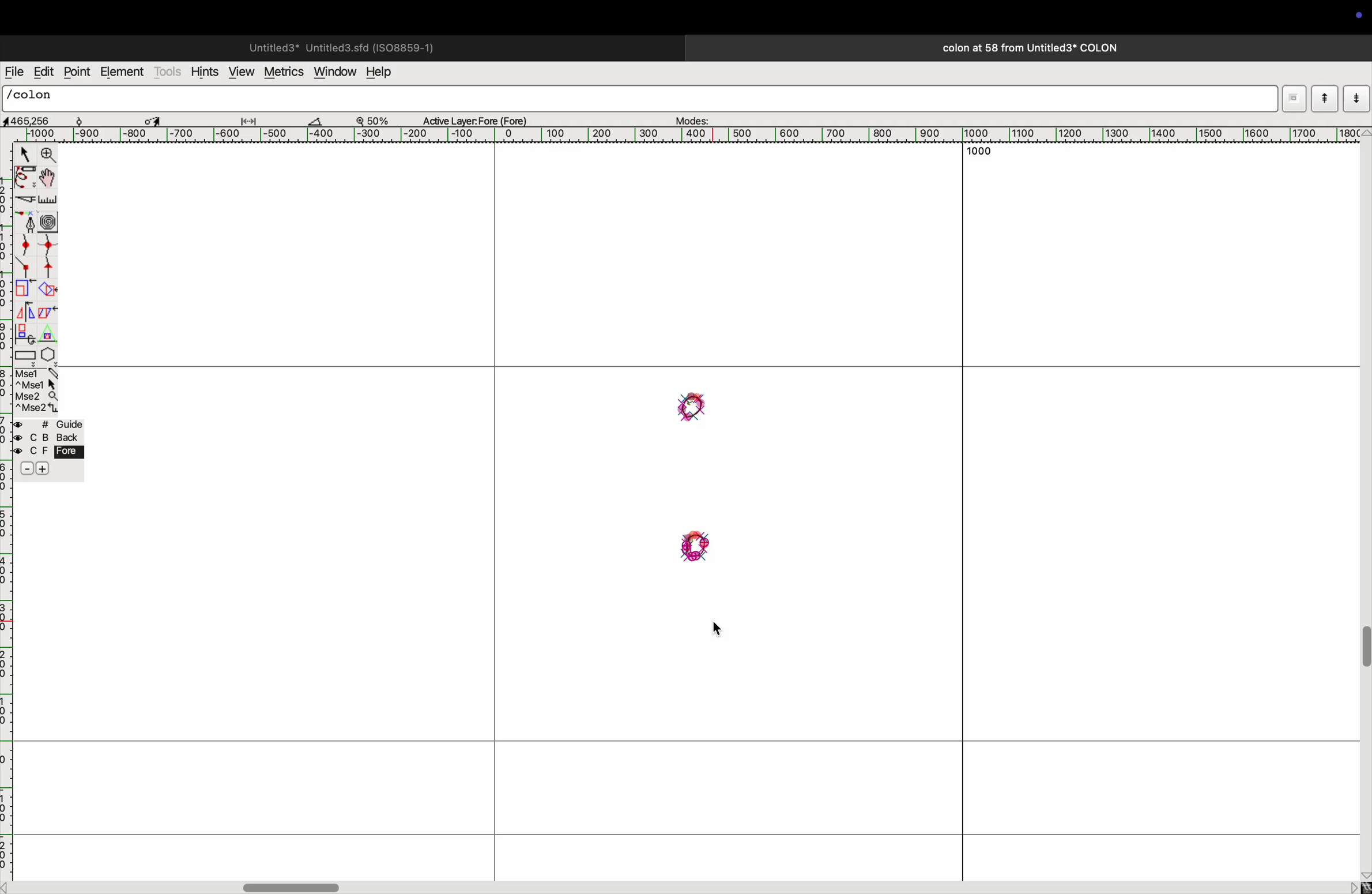 The width and height of the screenshot is (1372, 894). I want to click on circles, so click(51, 220).